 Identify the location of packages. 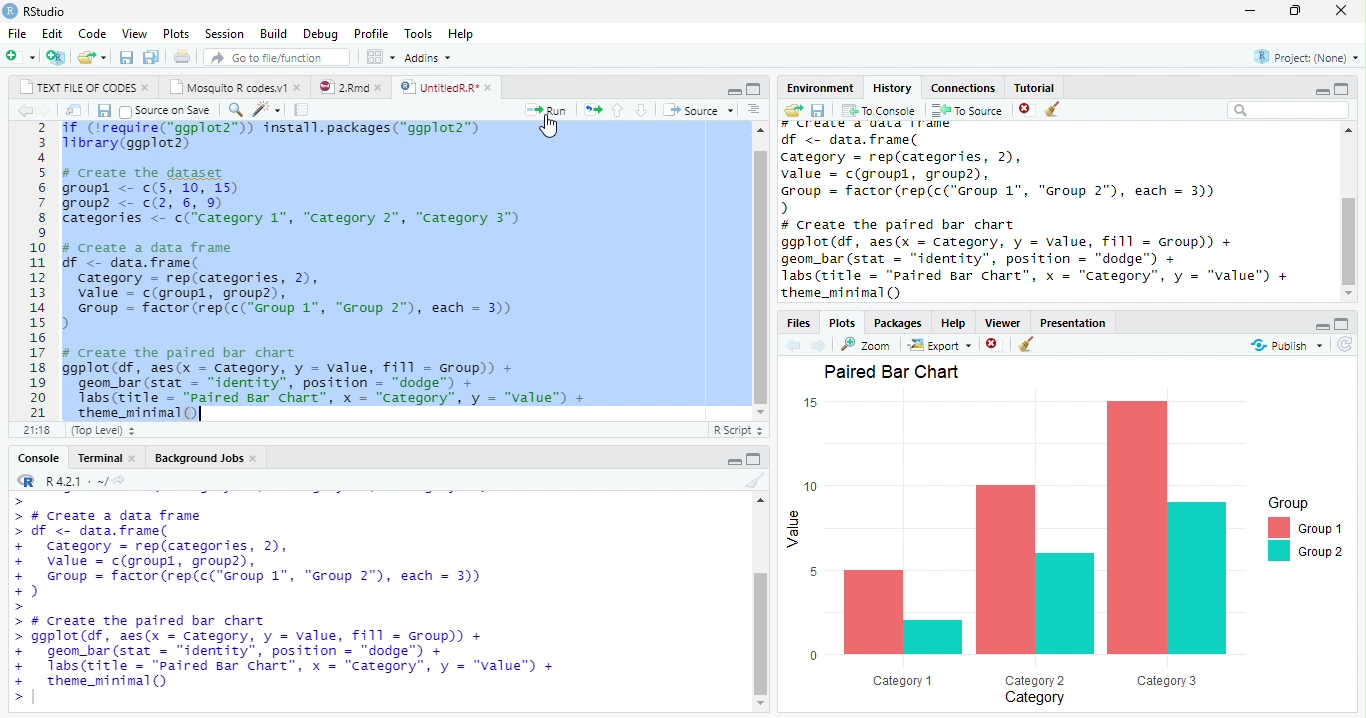
(898, 321).